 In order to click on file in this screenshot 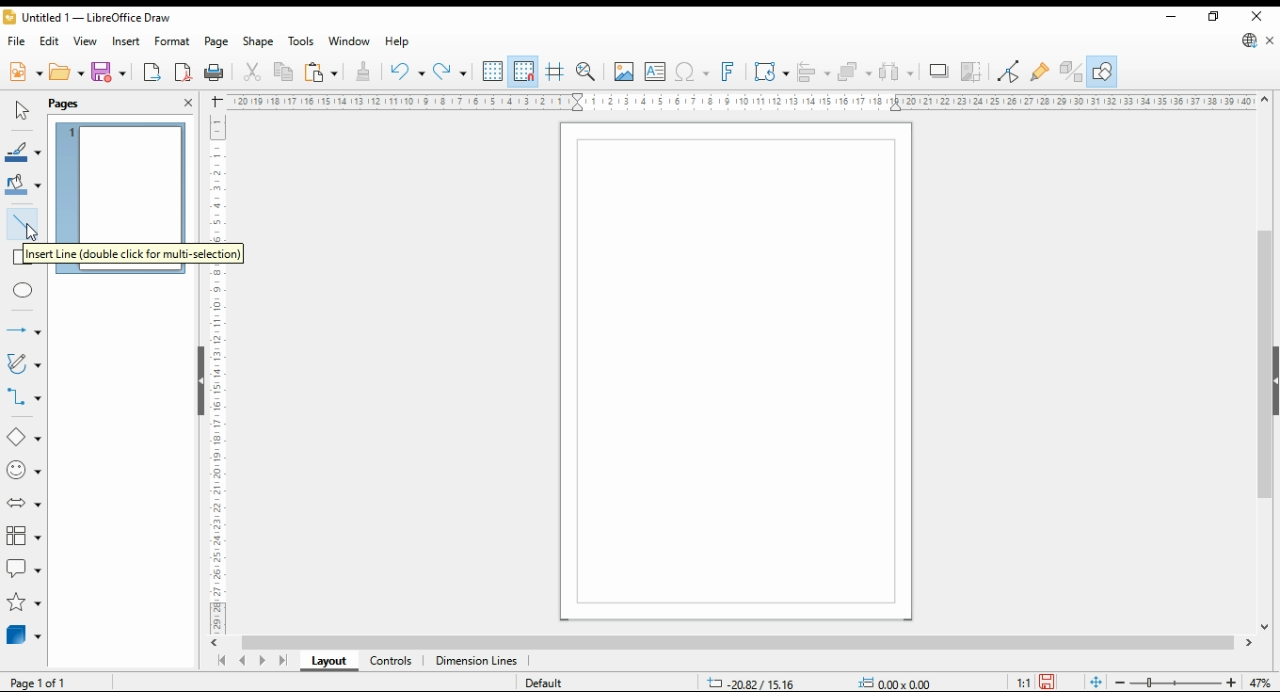, I will do `click(17, 42)`.